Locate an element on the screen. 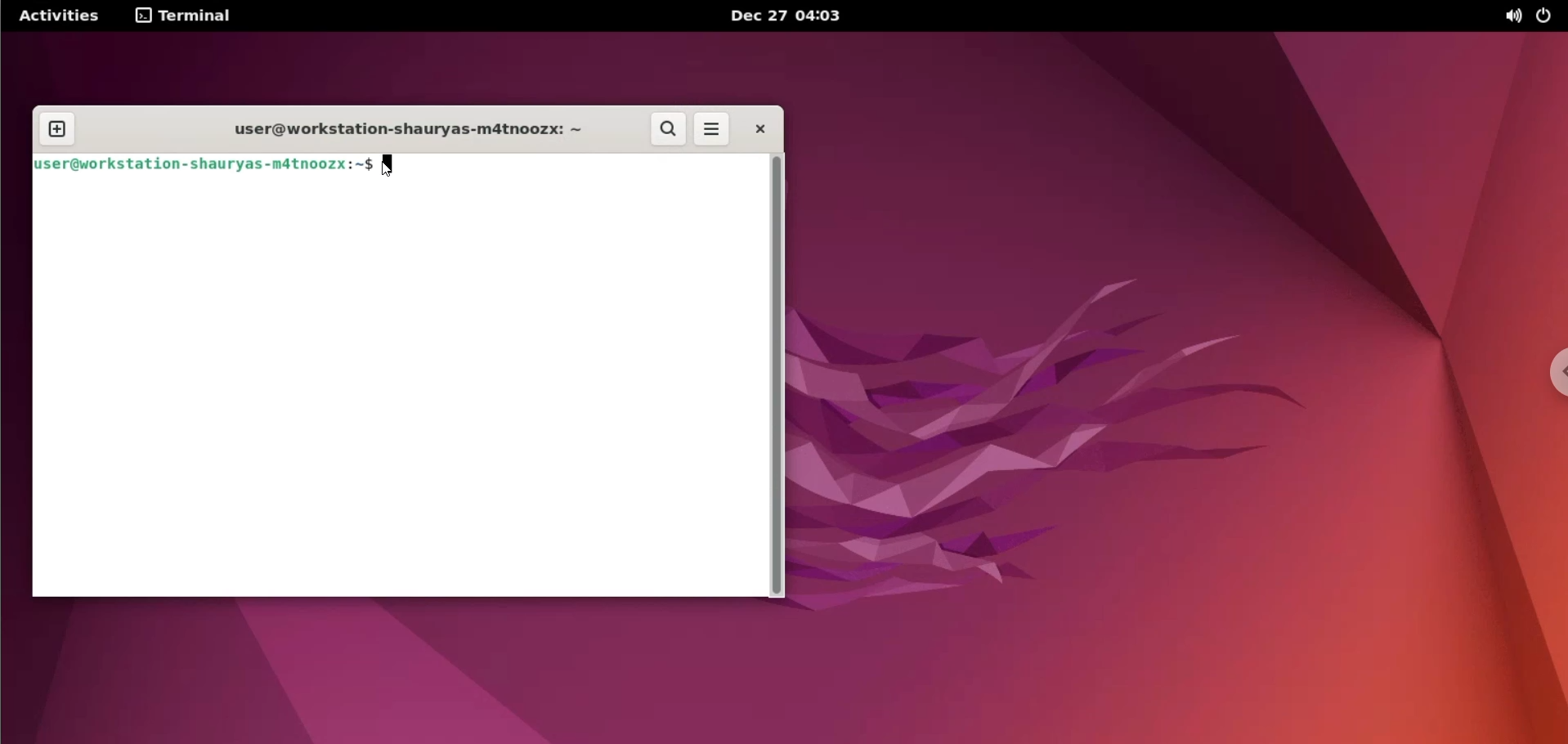 The width and height of the screenshot is (1568, 744). scrollbar is located at coordinates (777, 378).